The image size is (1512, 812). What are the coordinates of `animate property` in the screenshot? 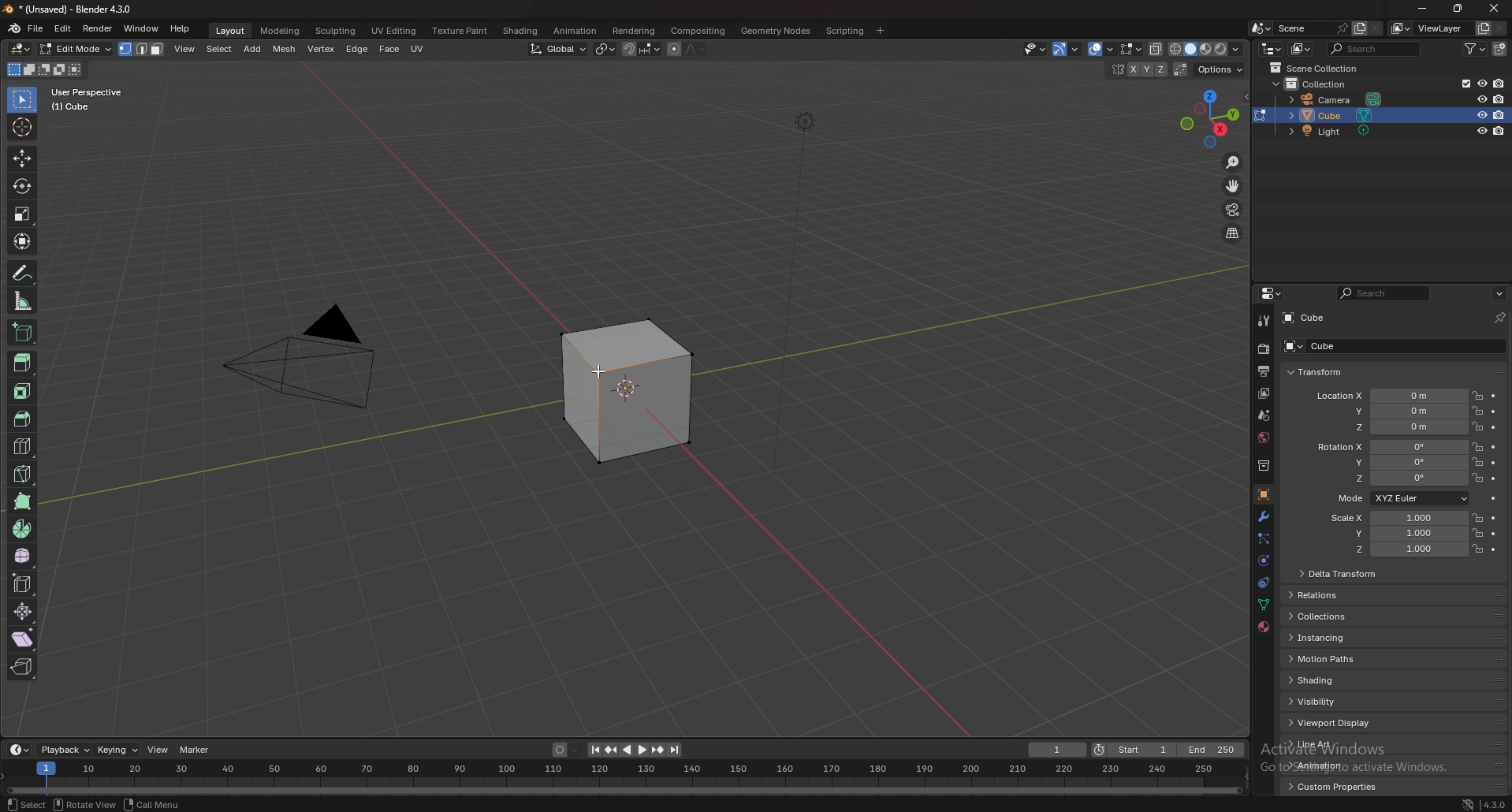 It's located at (1495, 396).